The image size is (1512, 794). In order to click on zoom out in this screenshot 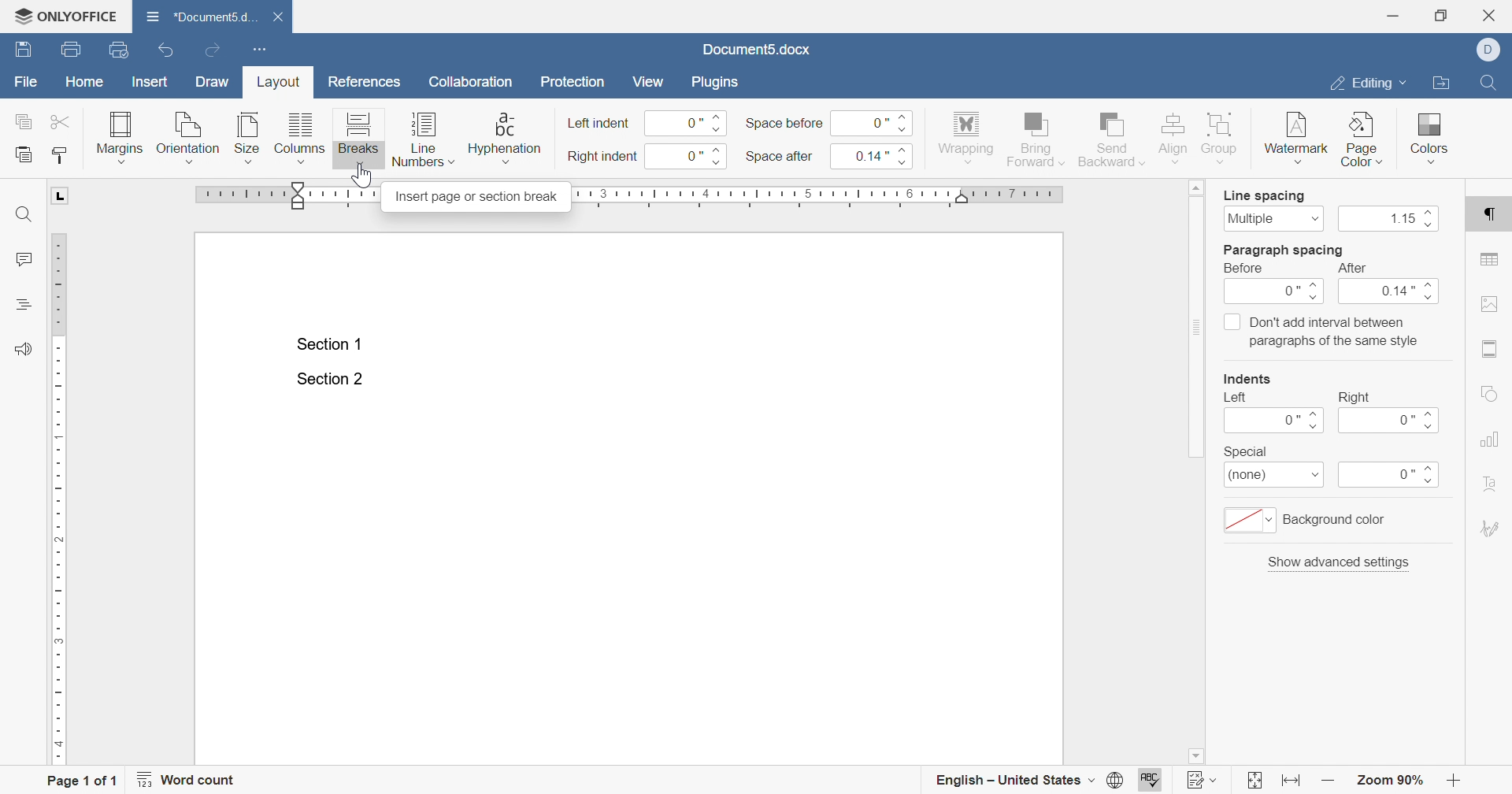, I will do `click(1456, 780)`.